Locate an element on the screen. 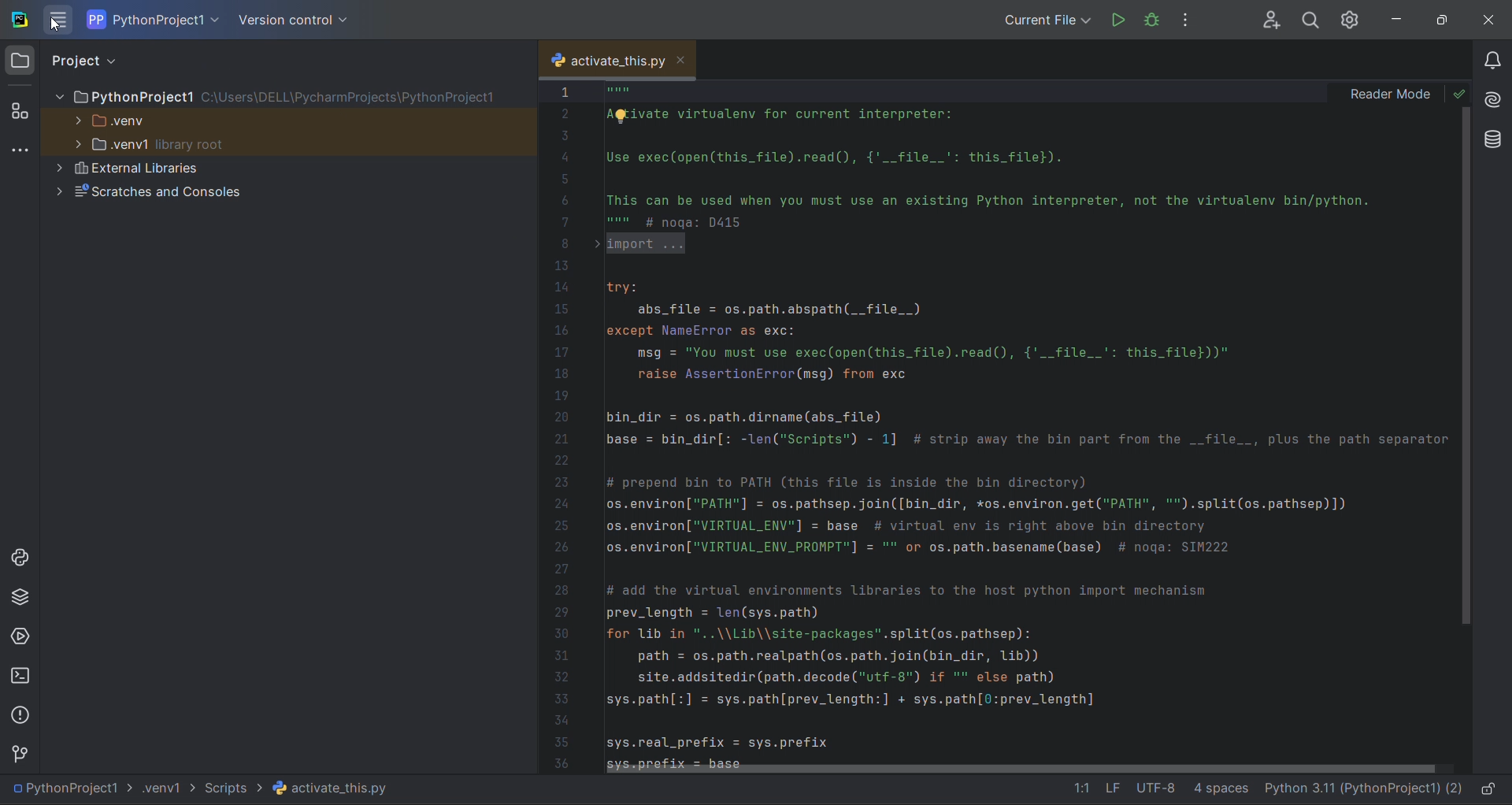 The height and width of the screenshot is (805, 1512). External Libraries is located at coordinates (152, 172).